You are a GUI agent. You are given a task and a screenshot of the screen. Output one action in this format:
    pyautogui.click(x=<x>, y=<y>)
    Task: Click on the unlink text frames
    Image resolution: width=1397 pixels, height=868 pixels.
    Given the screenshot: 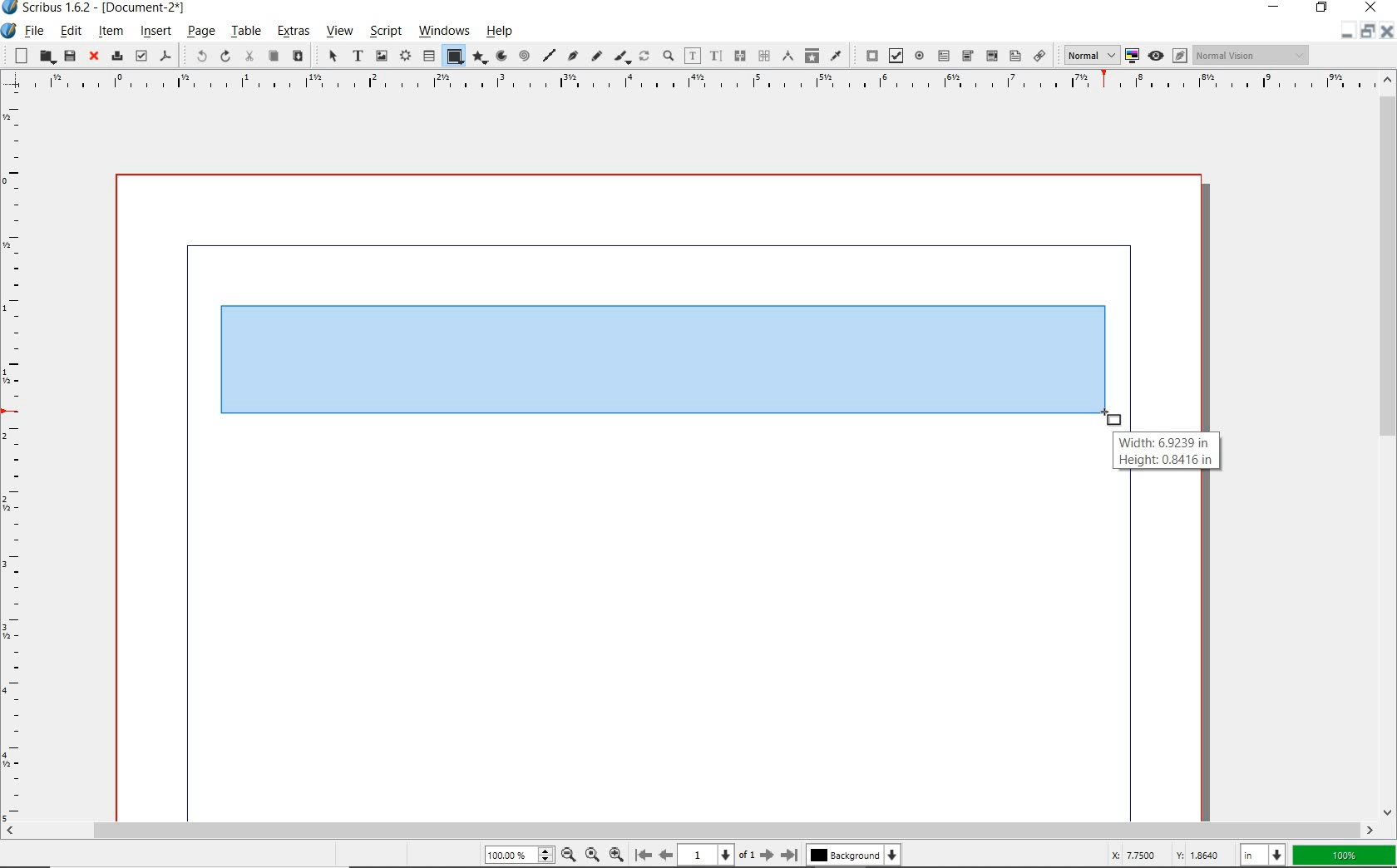 What is the action you would take?
    pyautogui.click(x=738, y=57)
    